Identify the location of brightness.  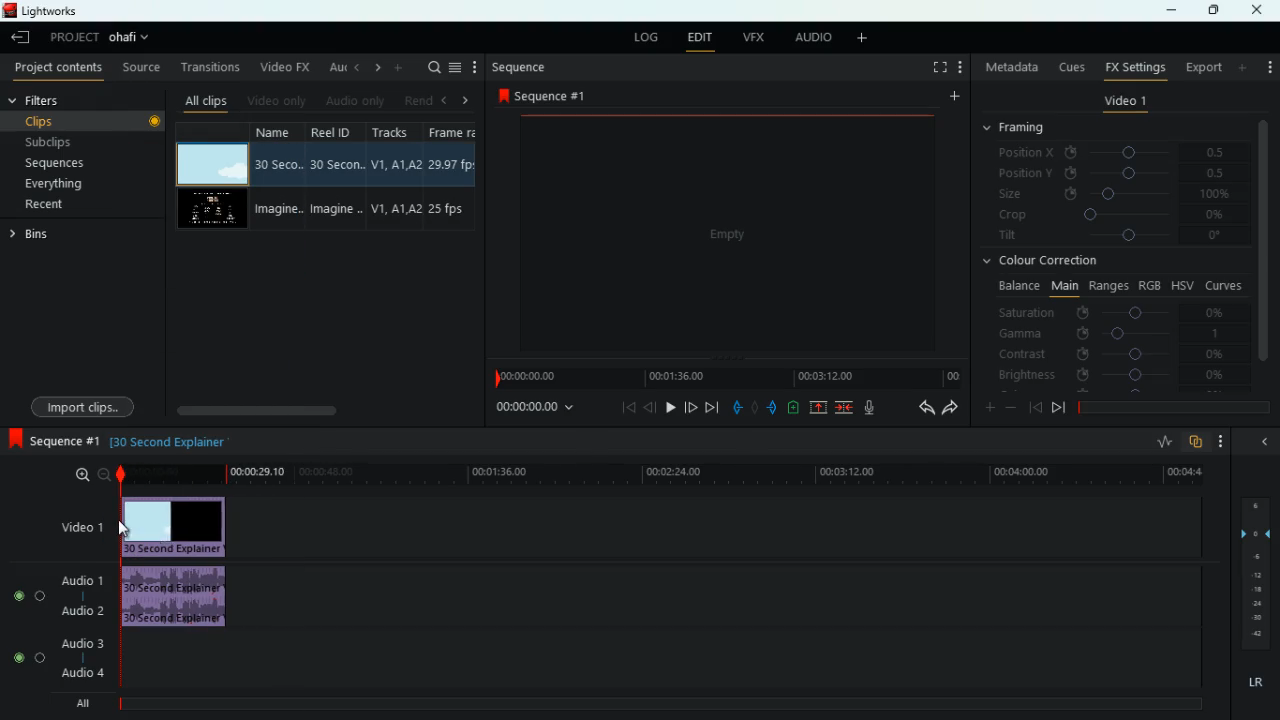
(1110, 374).